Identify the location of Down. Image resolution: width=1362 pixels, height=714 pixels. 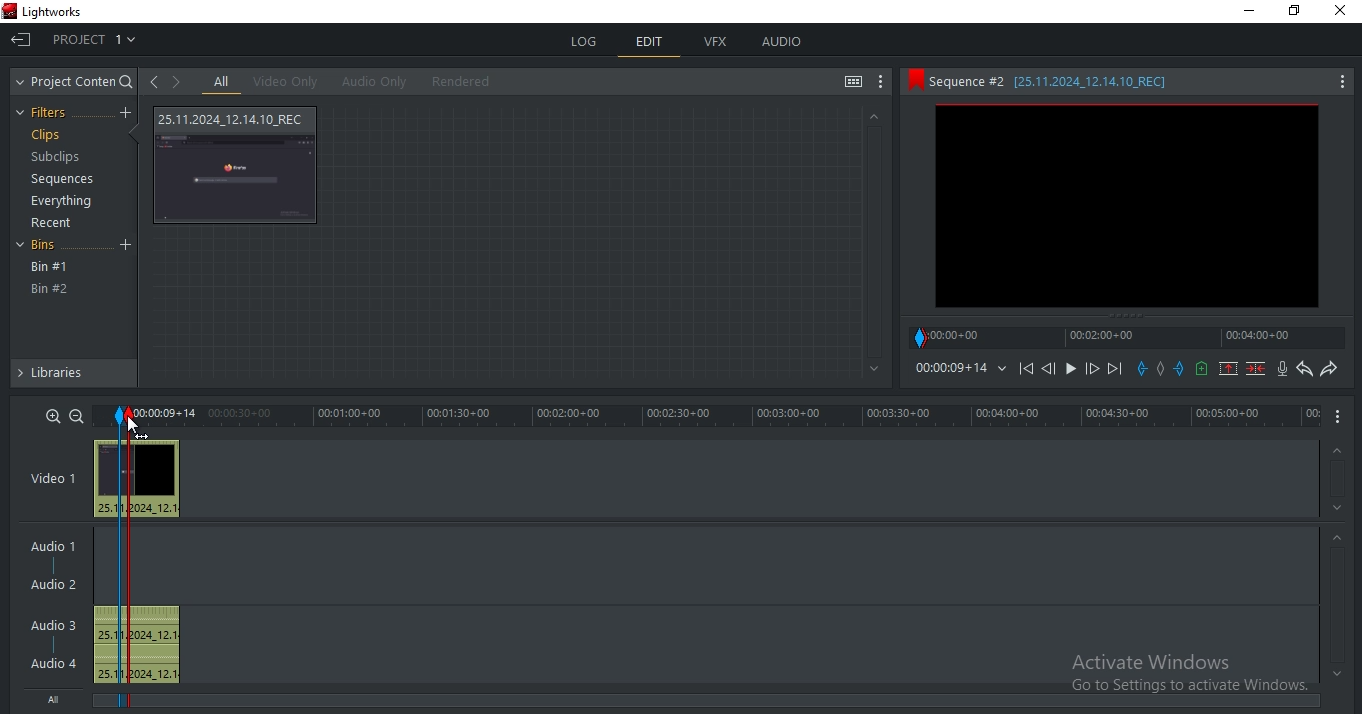
(1338, 508).